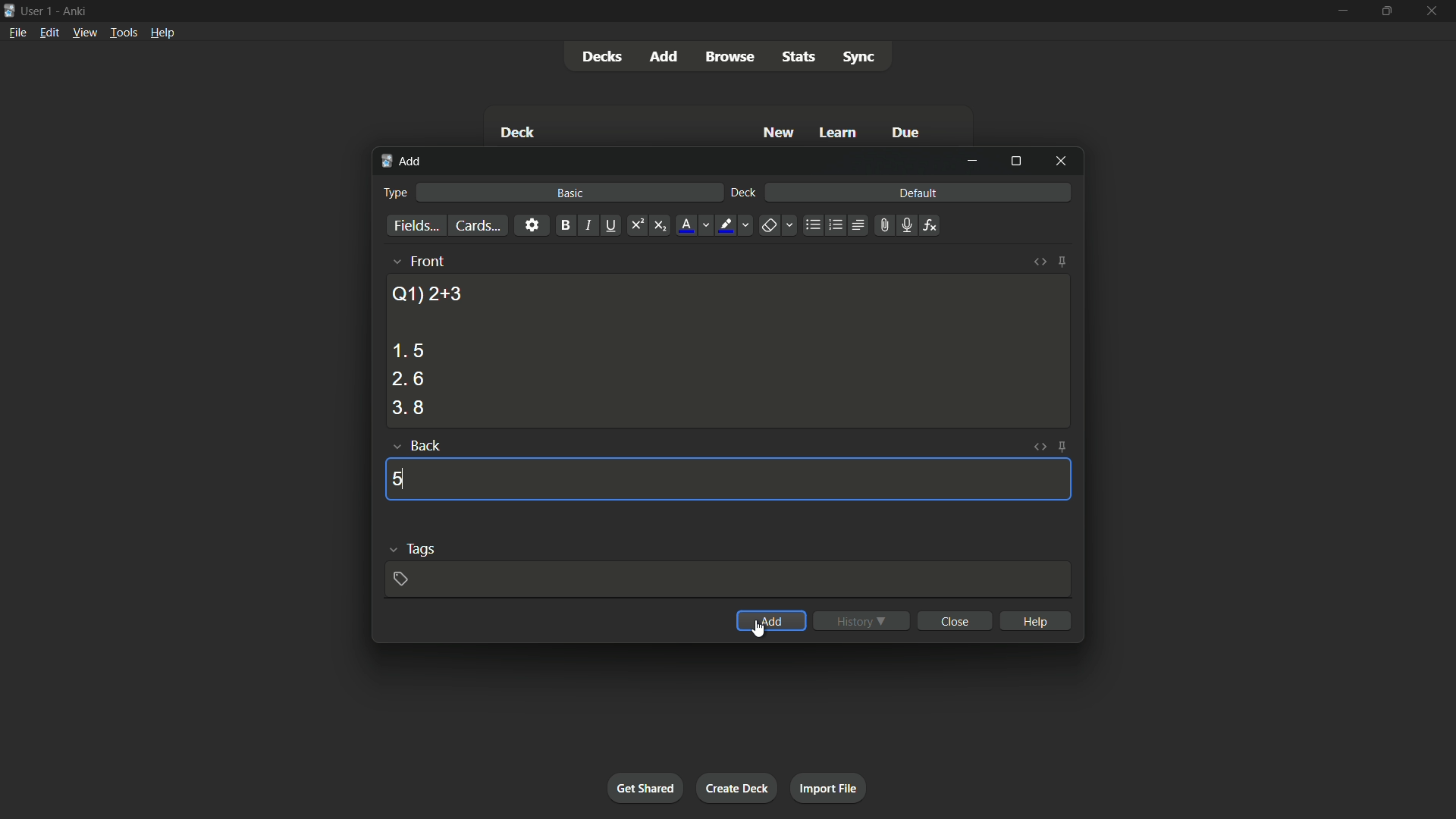 The image size is (1456, 819). I want to click on add, so click(772, 621).